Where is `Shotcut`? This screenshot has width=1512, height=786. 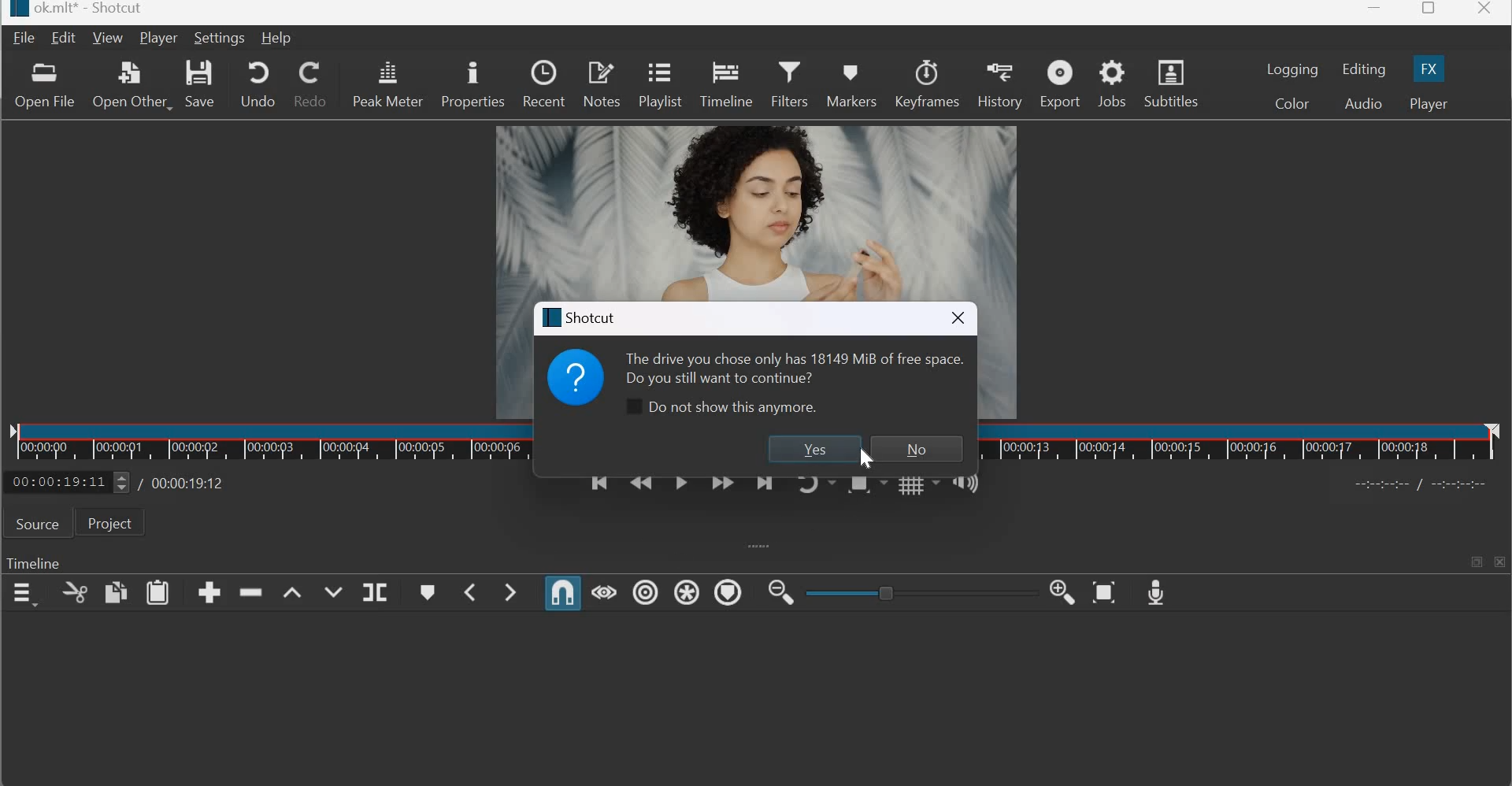
Shotcut is located at coordinates (584, 317).